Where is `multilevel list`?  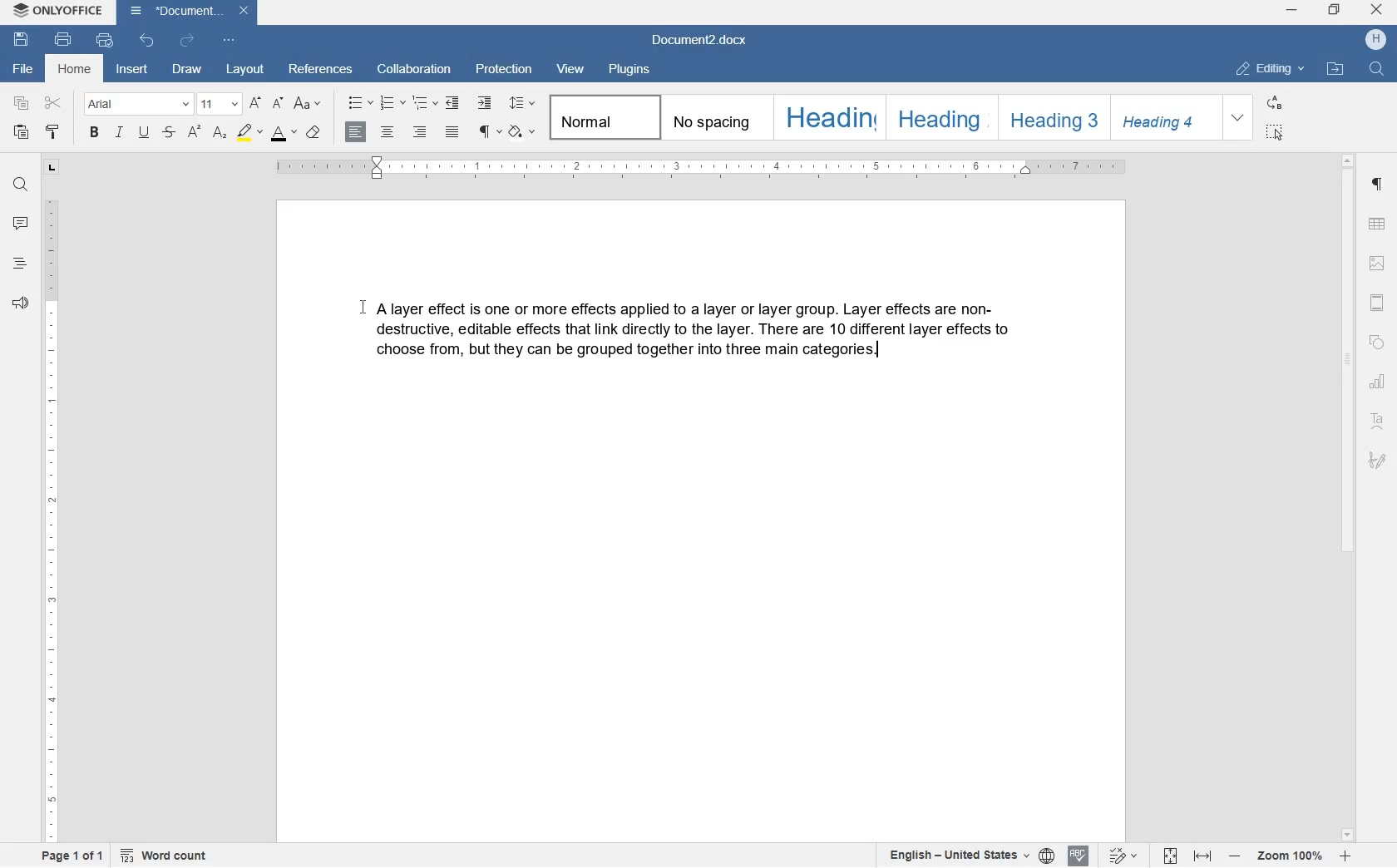 multilevel list is located at coordinates (423, 104).